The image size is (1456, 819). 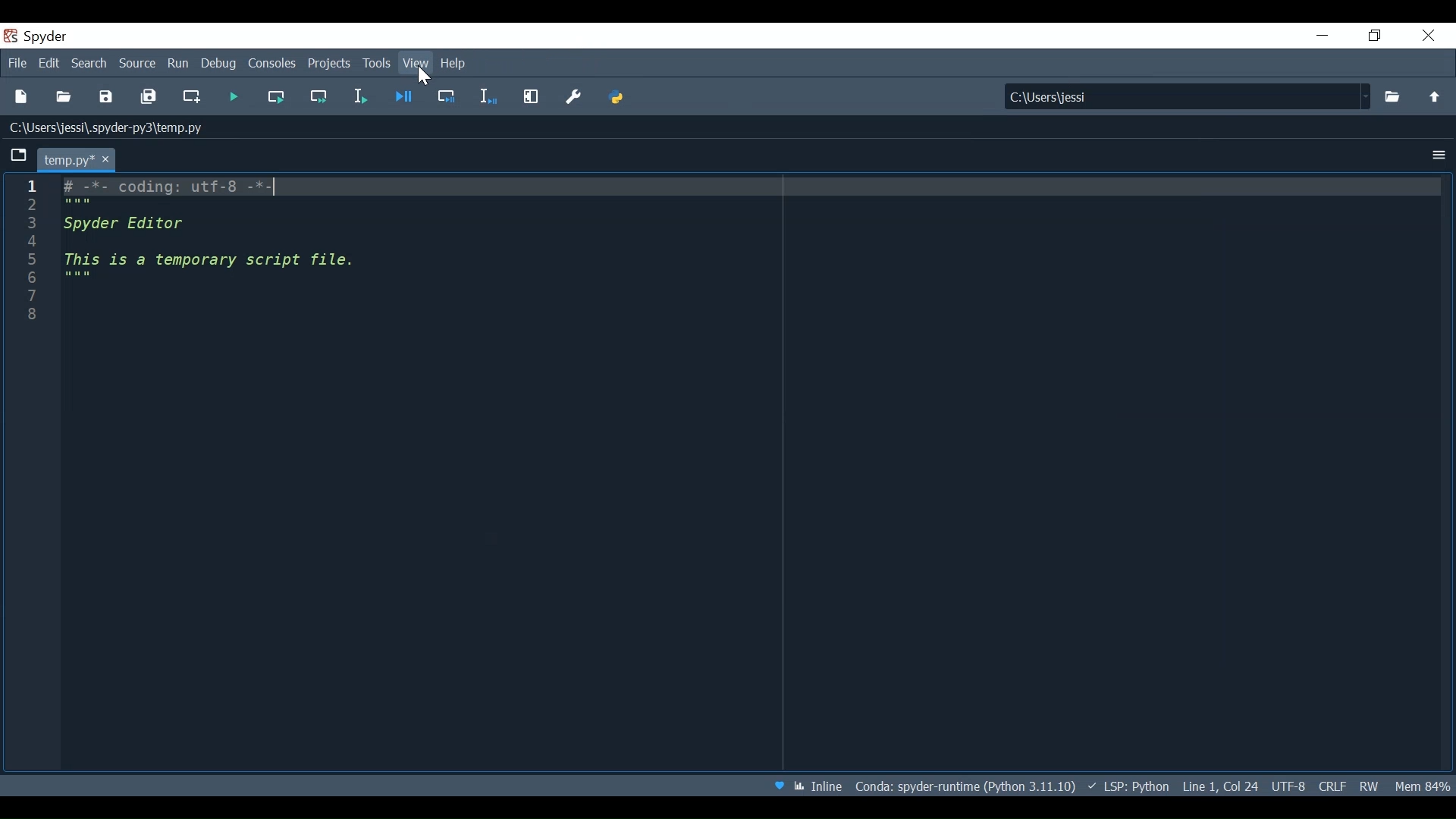 I want to click on # -*- coding: utf-8 -*- """ Spyder Editor  This is a temporary script file. """, so click(x=750, y=262).